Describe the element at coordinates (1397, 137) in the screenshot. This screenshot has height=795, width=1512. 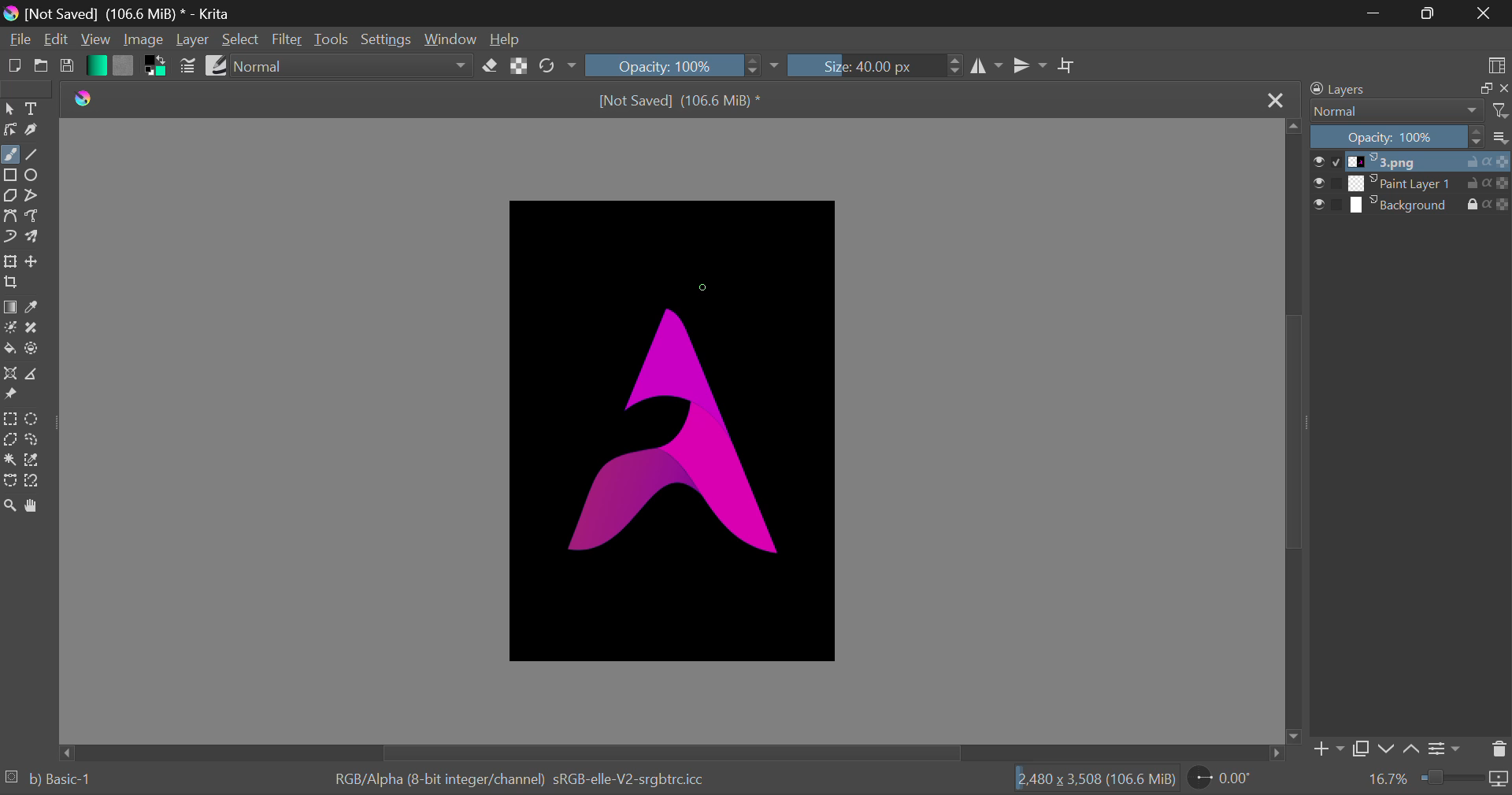
I see `Opacity 100%` at that location.